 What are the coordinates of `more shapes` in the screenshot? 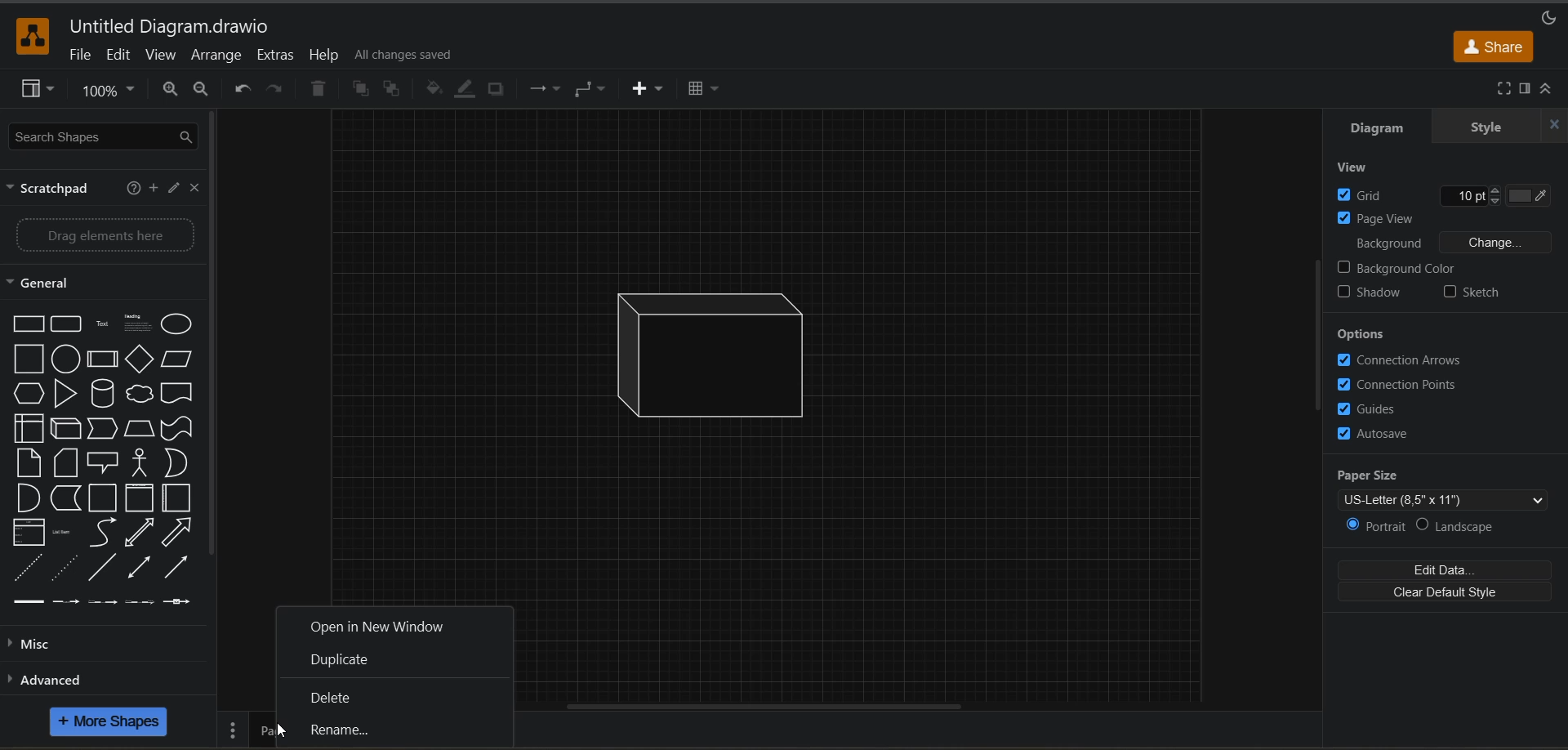 It's located at (109, 721).